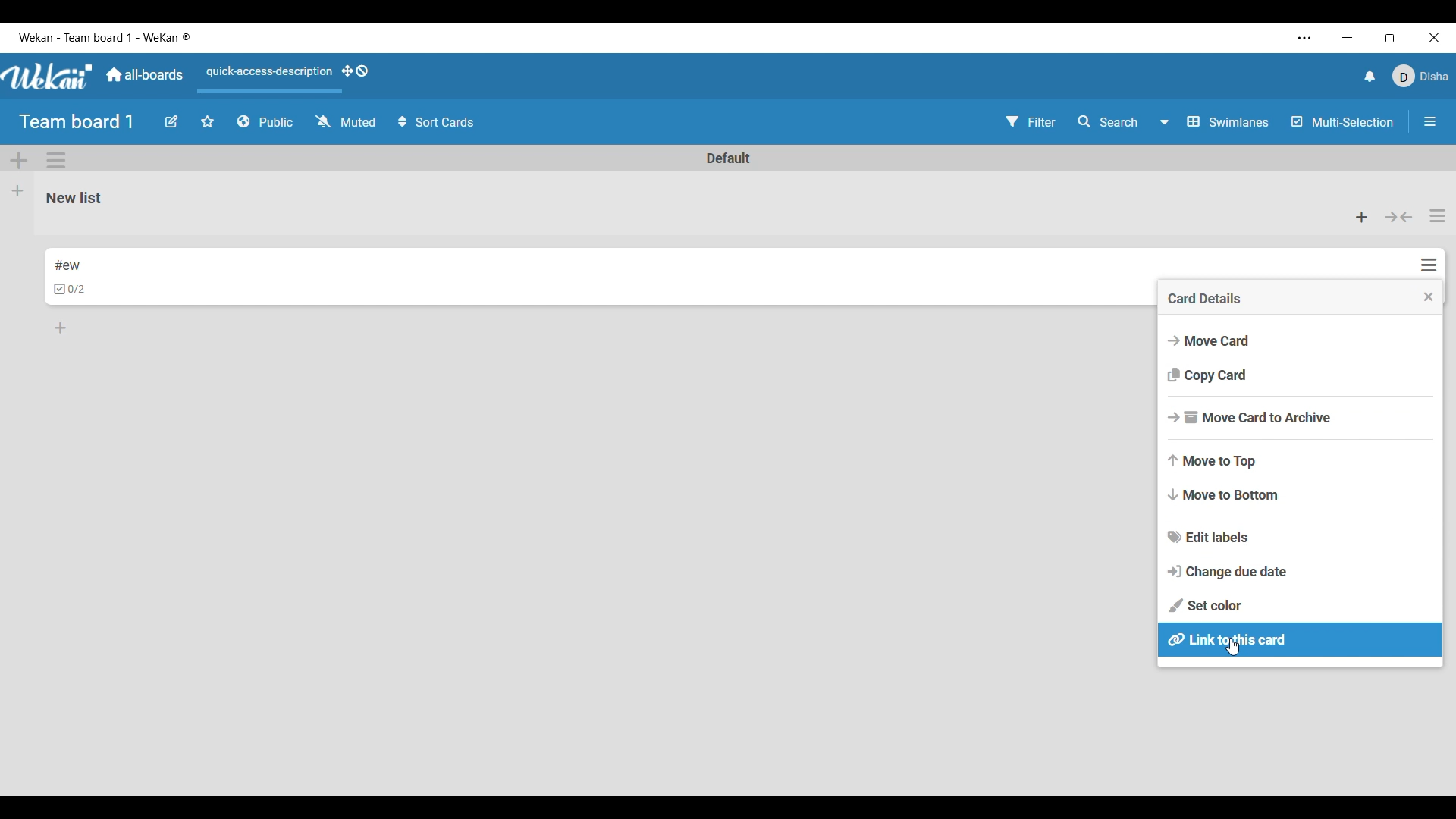 This screenshot has height=819, width=1456. Describe the element at coordinates (1300, 639) in the screenshot. I see `Link to this card, current selection highlighted` at that location.